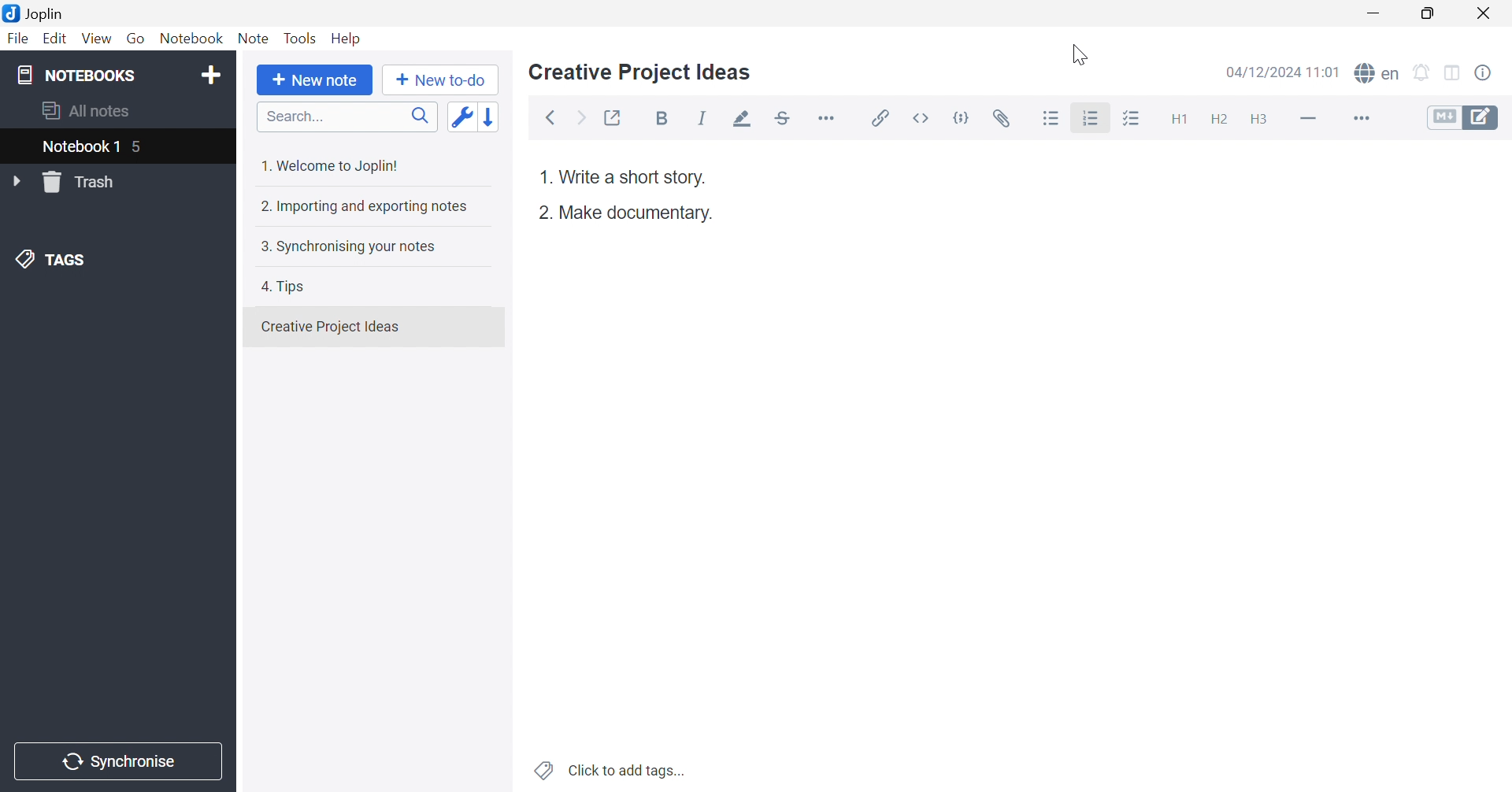 The image size is (1512, 792). I want to click on Creative Projects Ideas, so click(330, 327).